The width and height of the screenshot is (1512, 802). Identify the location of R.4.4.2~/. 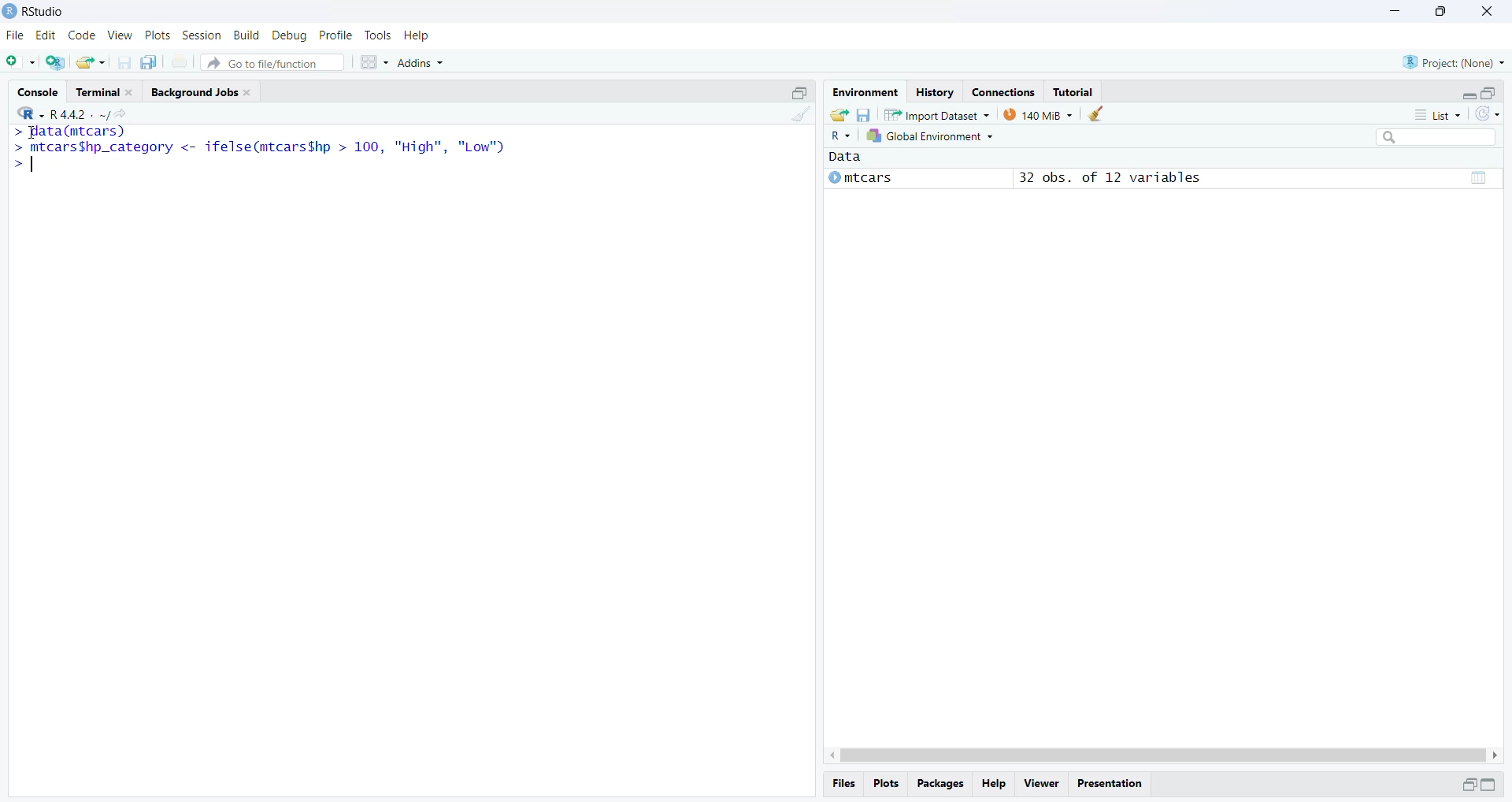
(74, 113).